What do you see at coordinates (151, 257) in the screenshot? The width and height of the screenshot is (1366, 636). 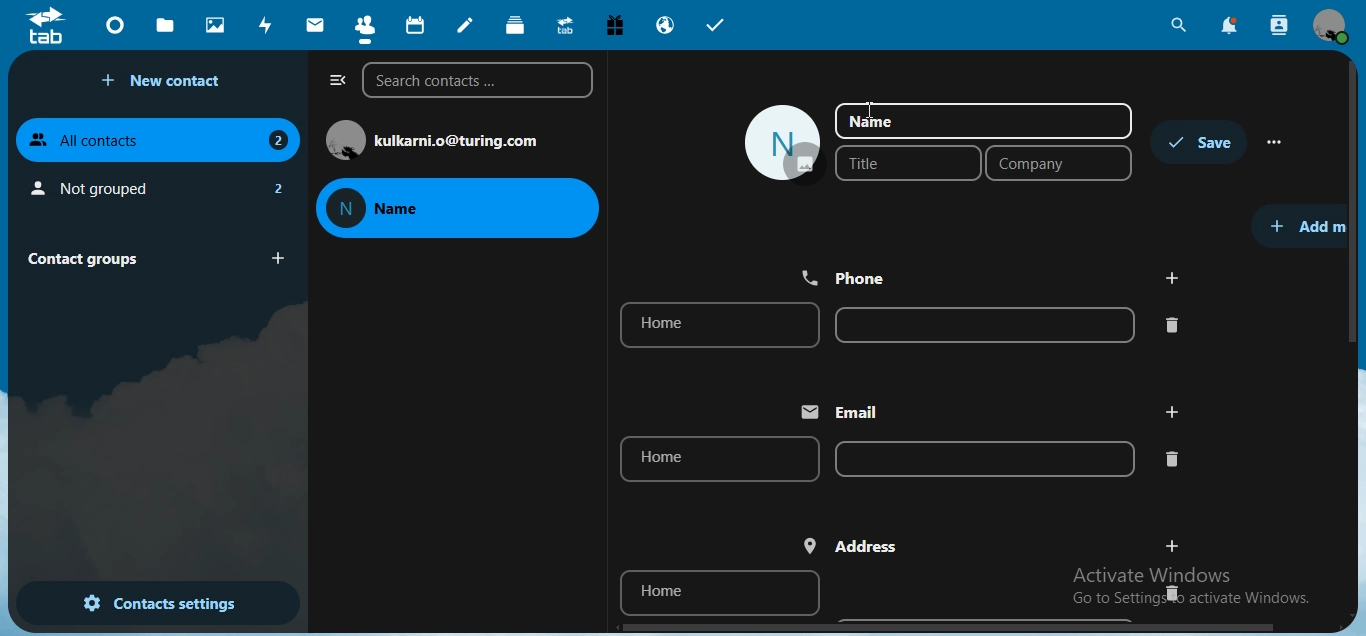 I see `contact groups` at bounding box center [151, 257].